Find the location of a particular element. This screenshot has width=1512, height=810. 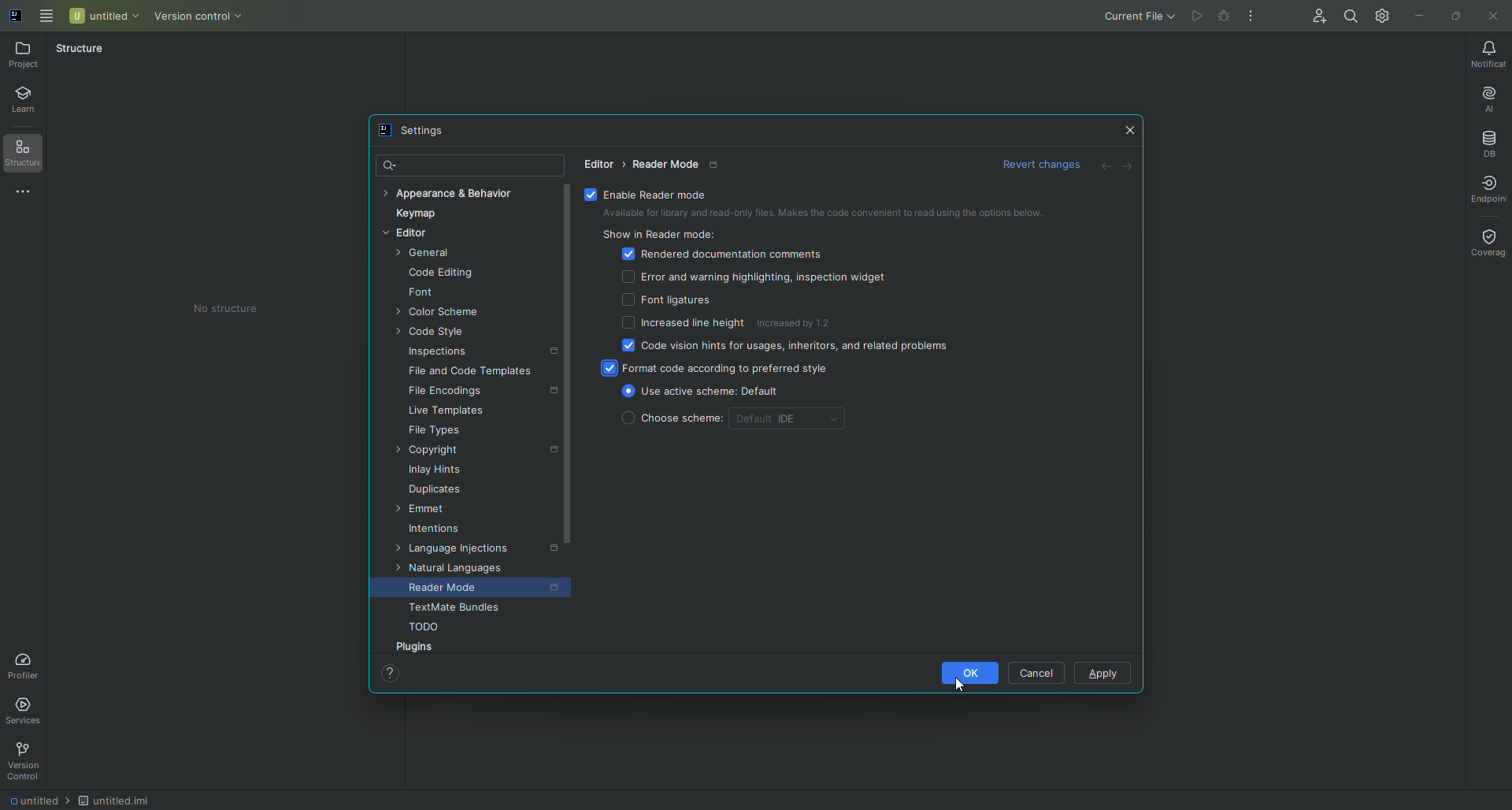

scroll bar is located at coordinates (572, 417).